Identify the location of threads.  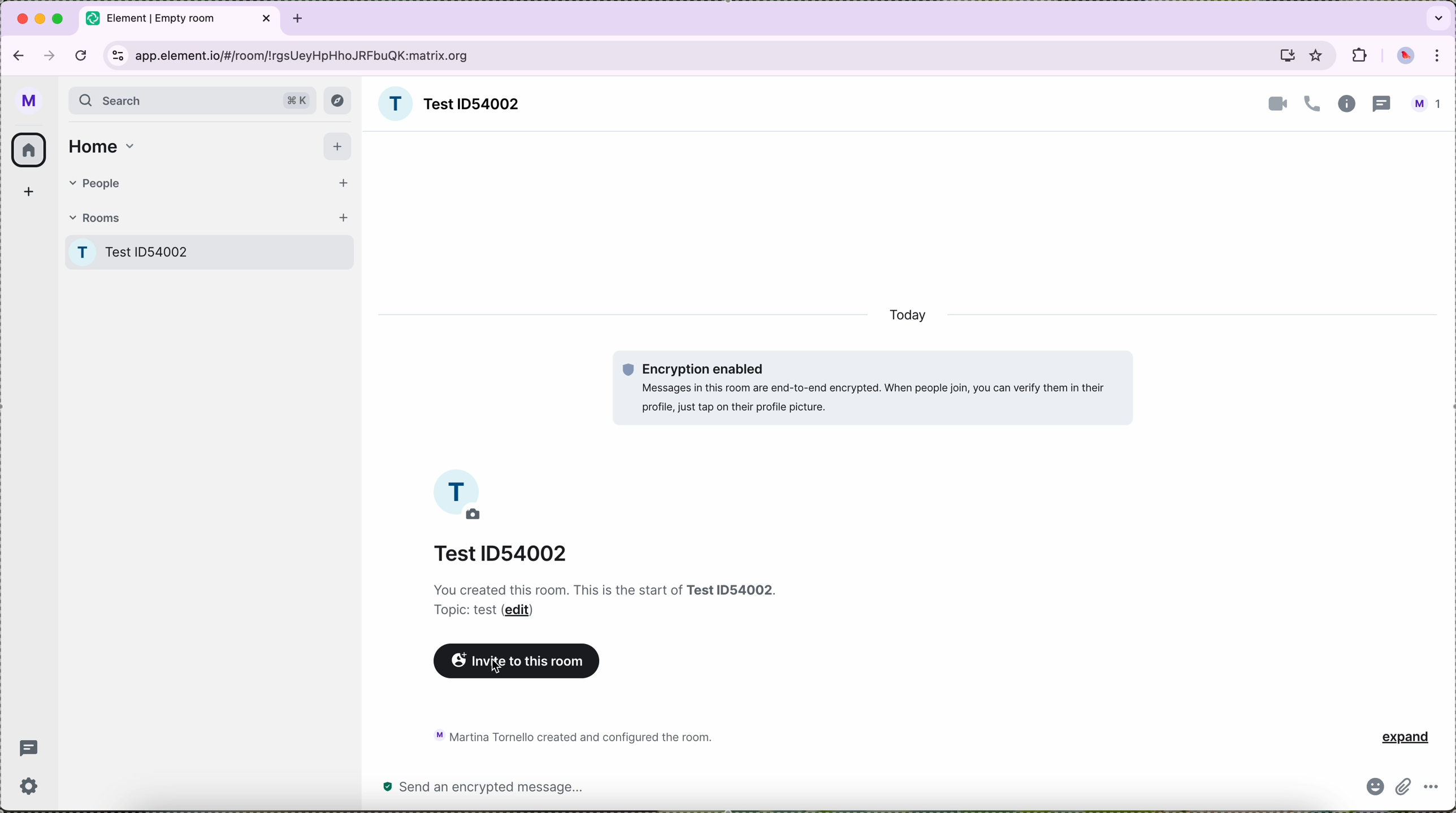
(32, 747).